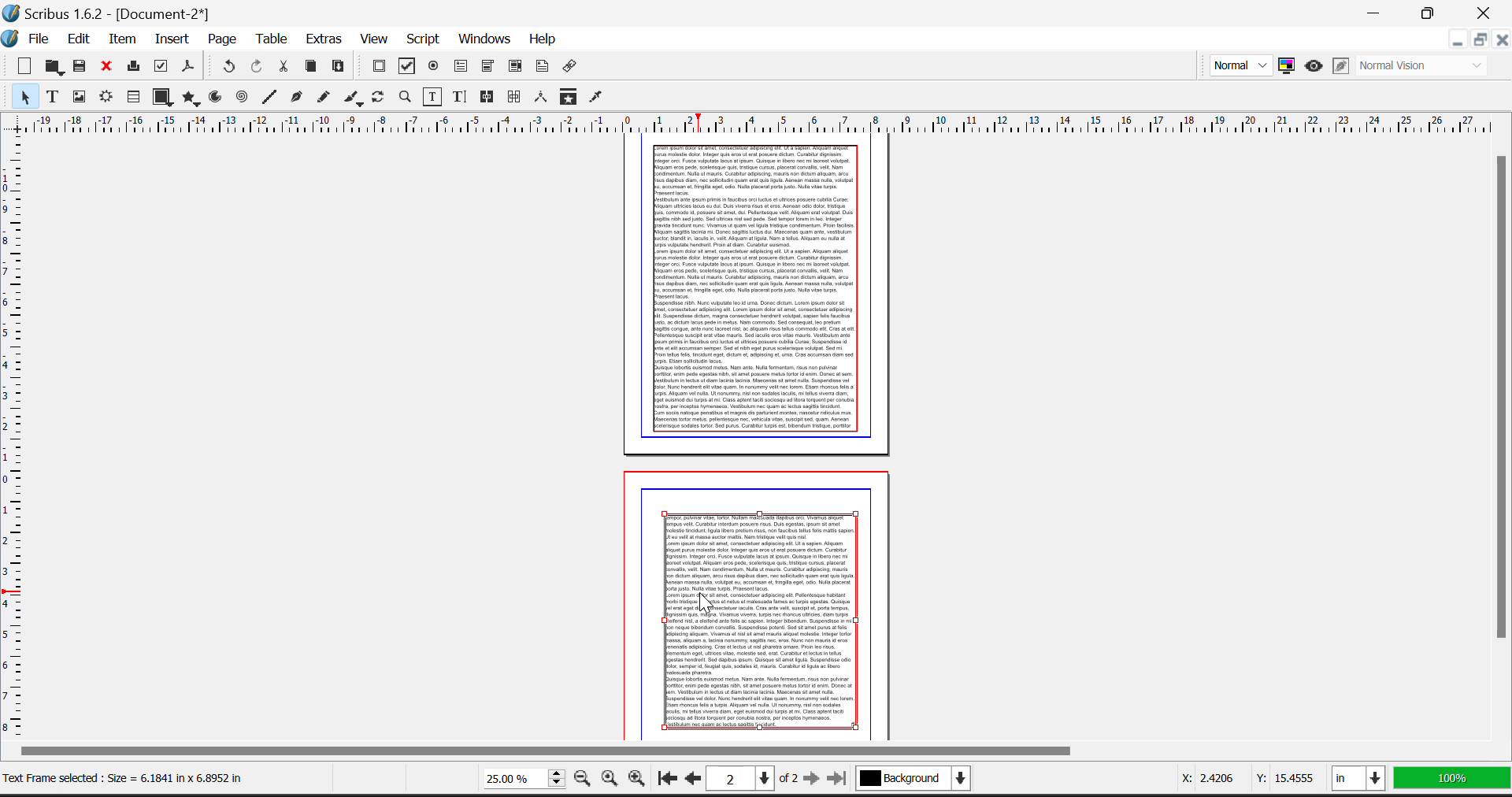 The width and height of the screenshot is (1512, 797). I want to click on Help, so click(542, 39).